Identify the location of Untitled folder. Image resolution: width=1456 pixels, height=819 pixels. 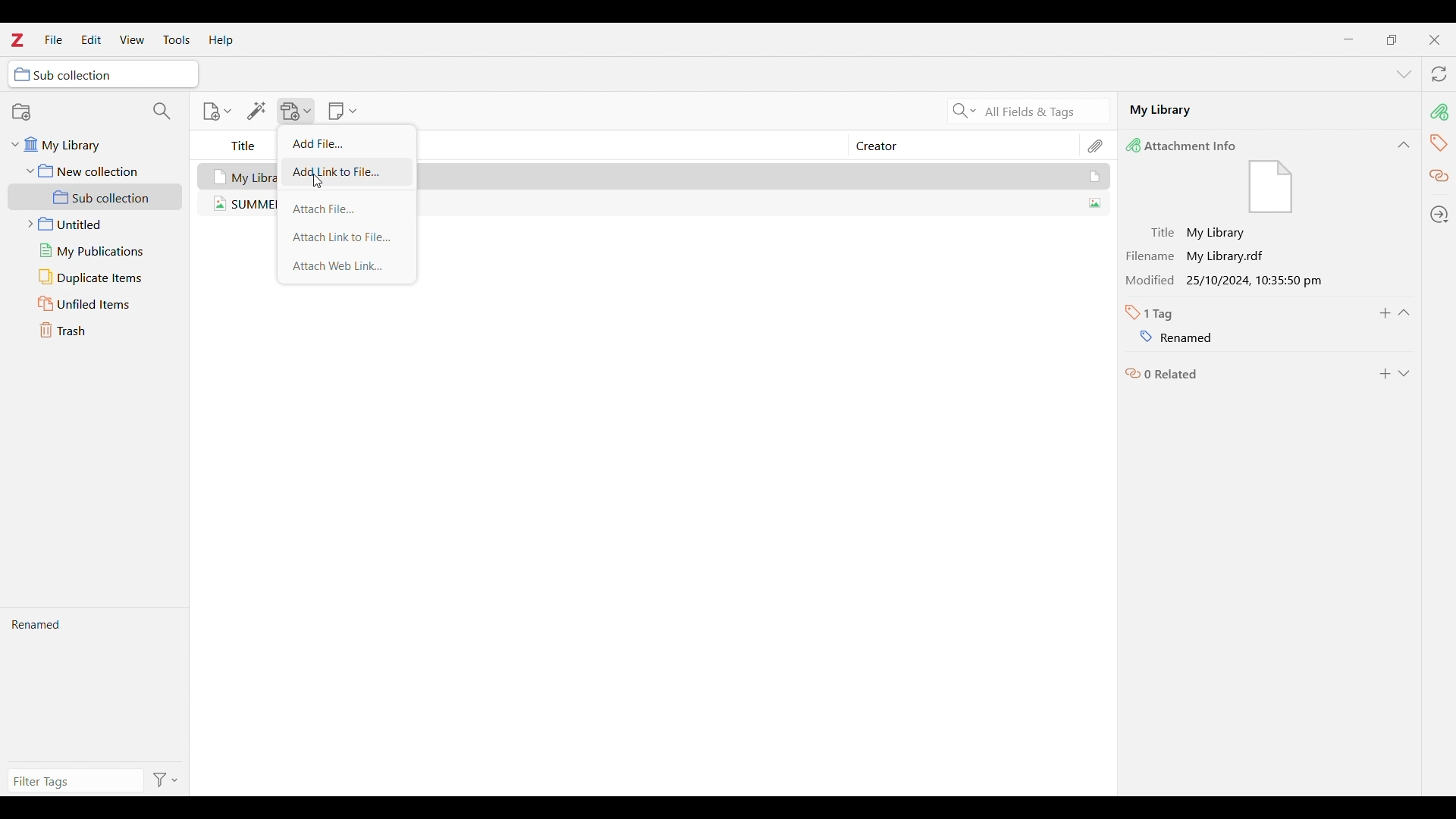
(99, 224).